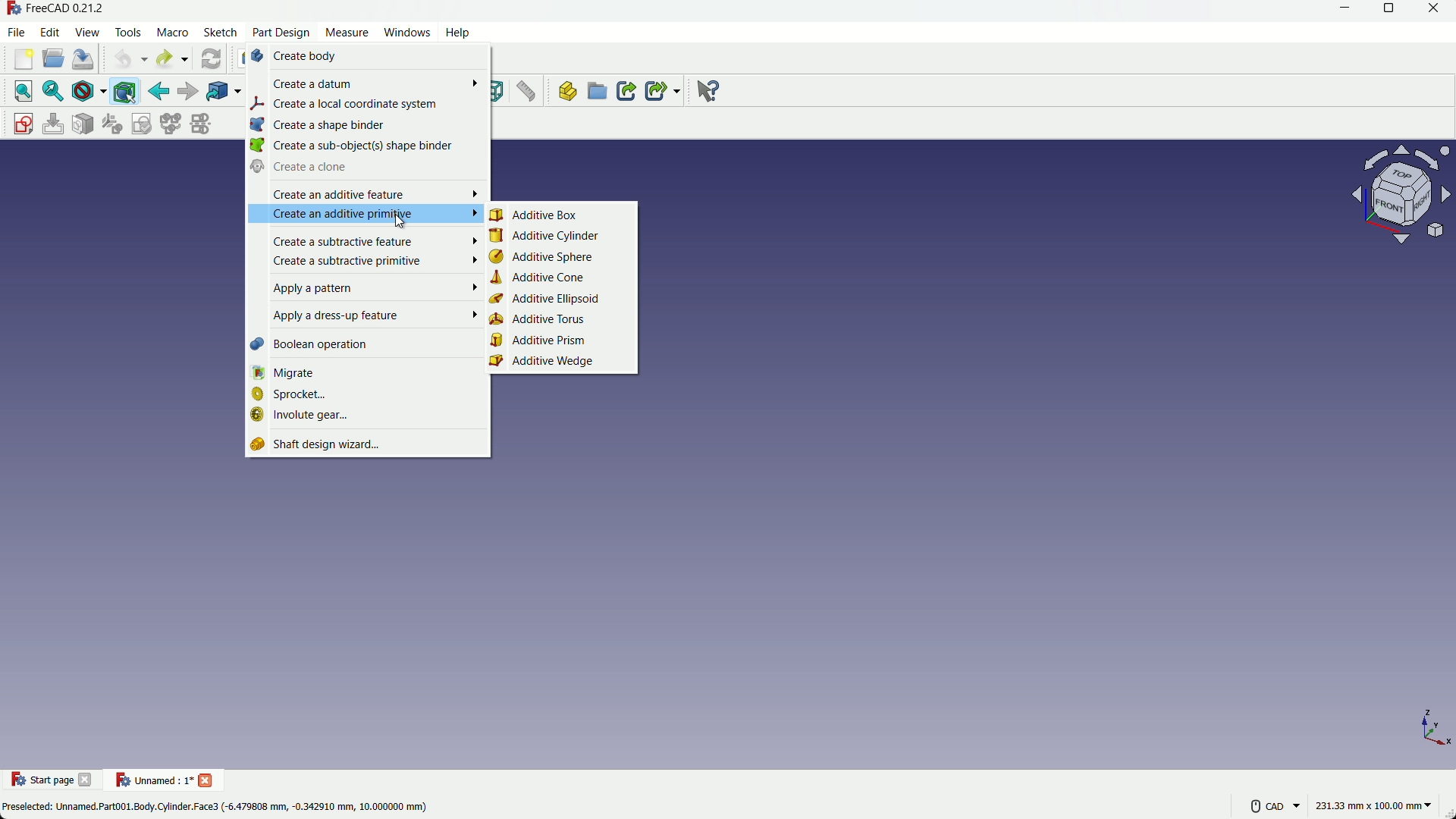 This screenshot has height=819, width=1456. Describe the element at coordinates (158, 91) in the screenshot. I see `back` at that location.